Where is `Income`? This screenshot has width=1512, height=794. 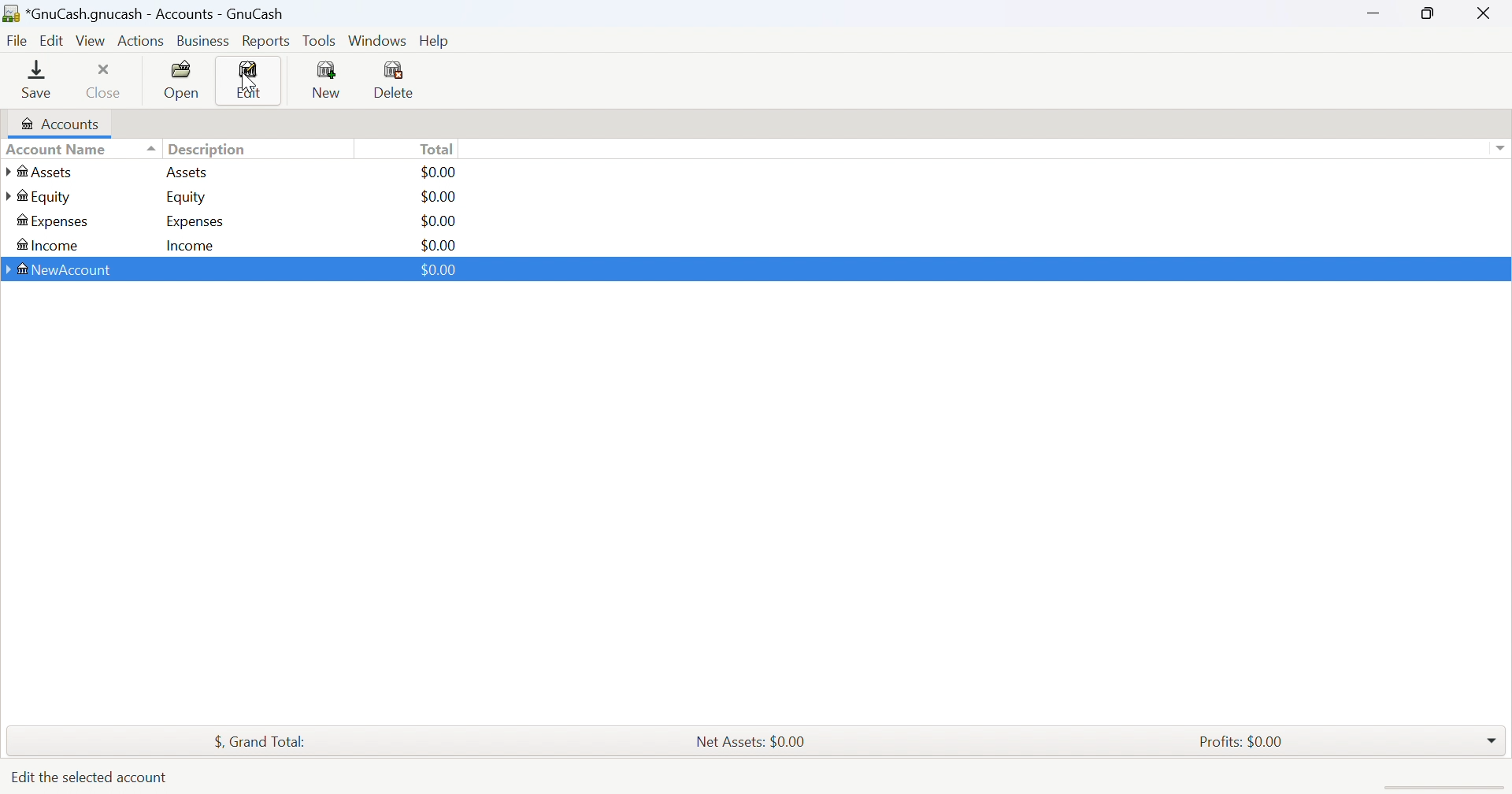
Income is located at coordinates (191, 247).